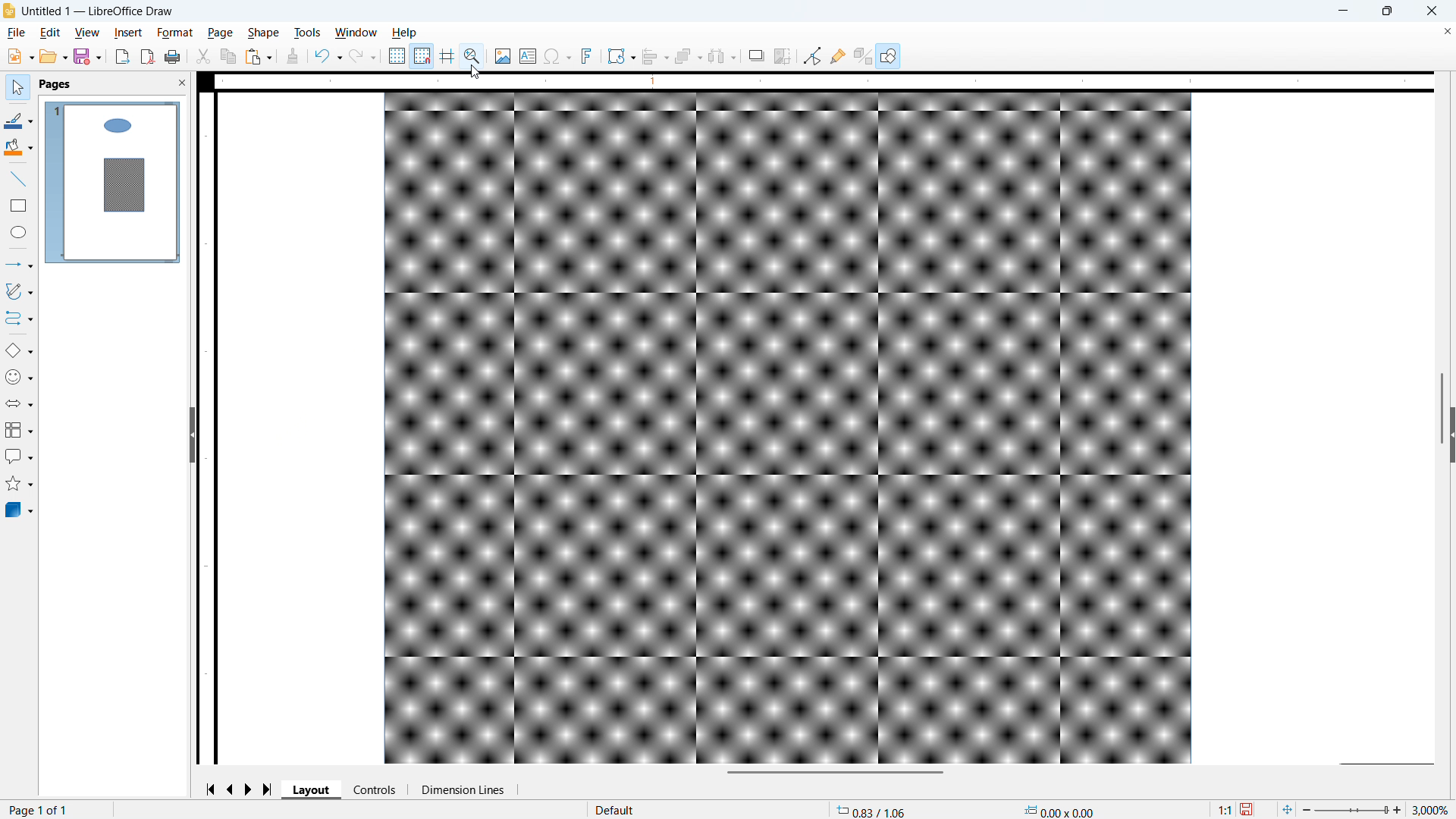 The image size is (1456, 819). What do you see at coordinates (19, 291) in the screenshot?
I see `Curves and polygons ` at bounding box center [19, 291].